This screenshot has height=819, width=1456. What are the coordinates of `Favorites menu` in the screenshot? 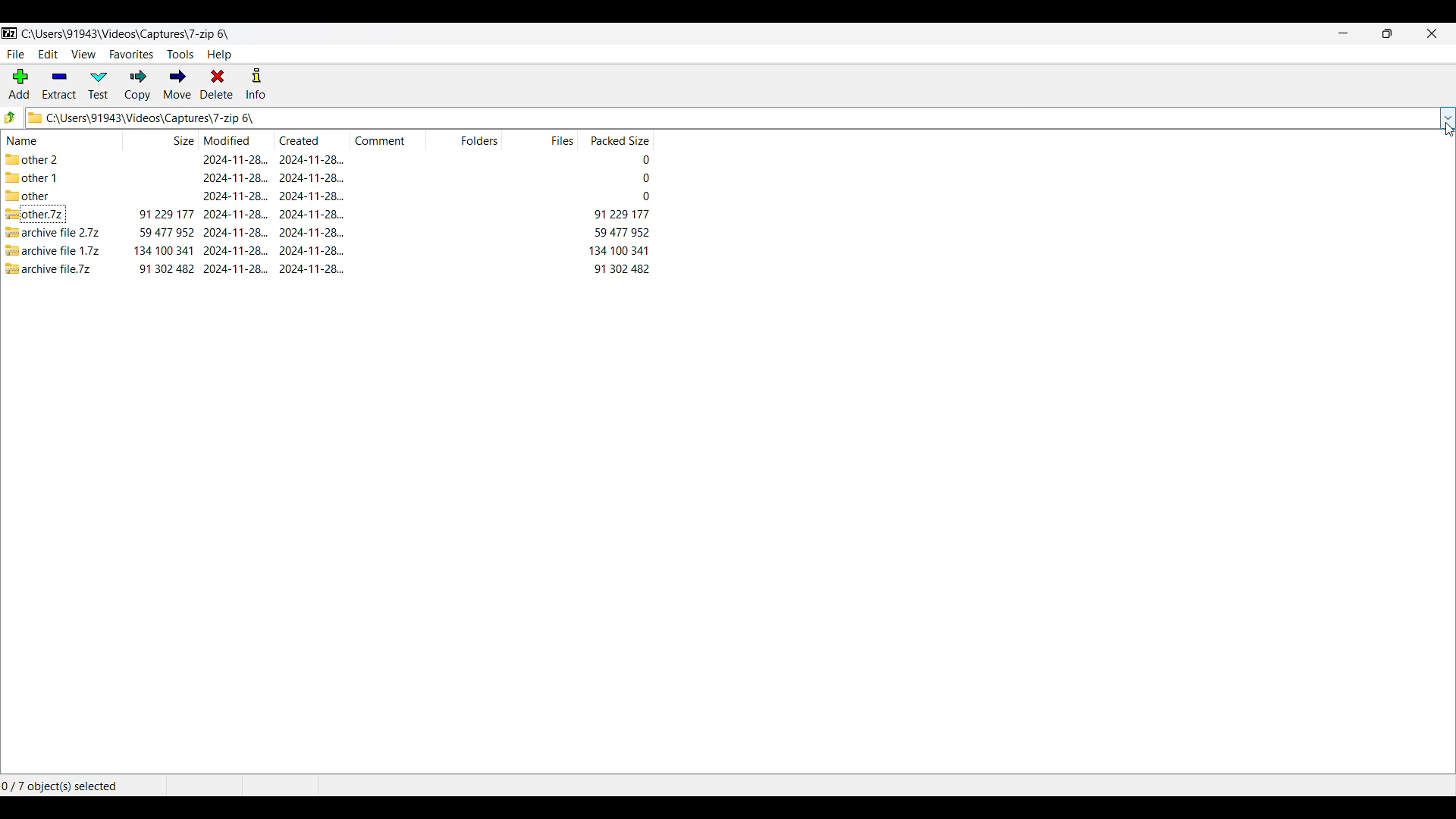 It's located at (131, 55).